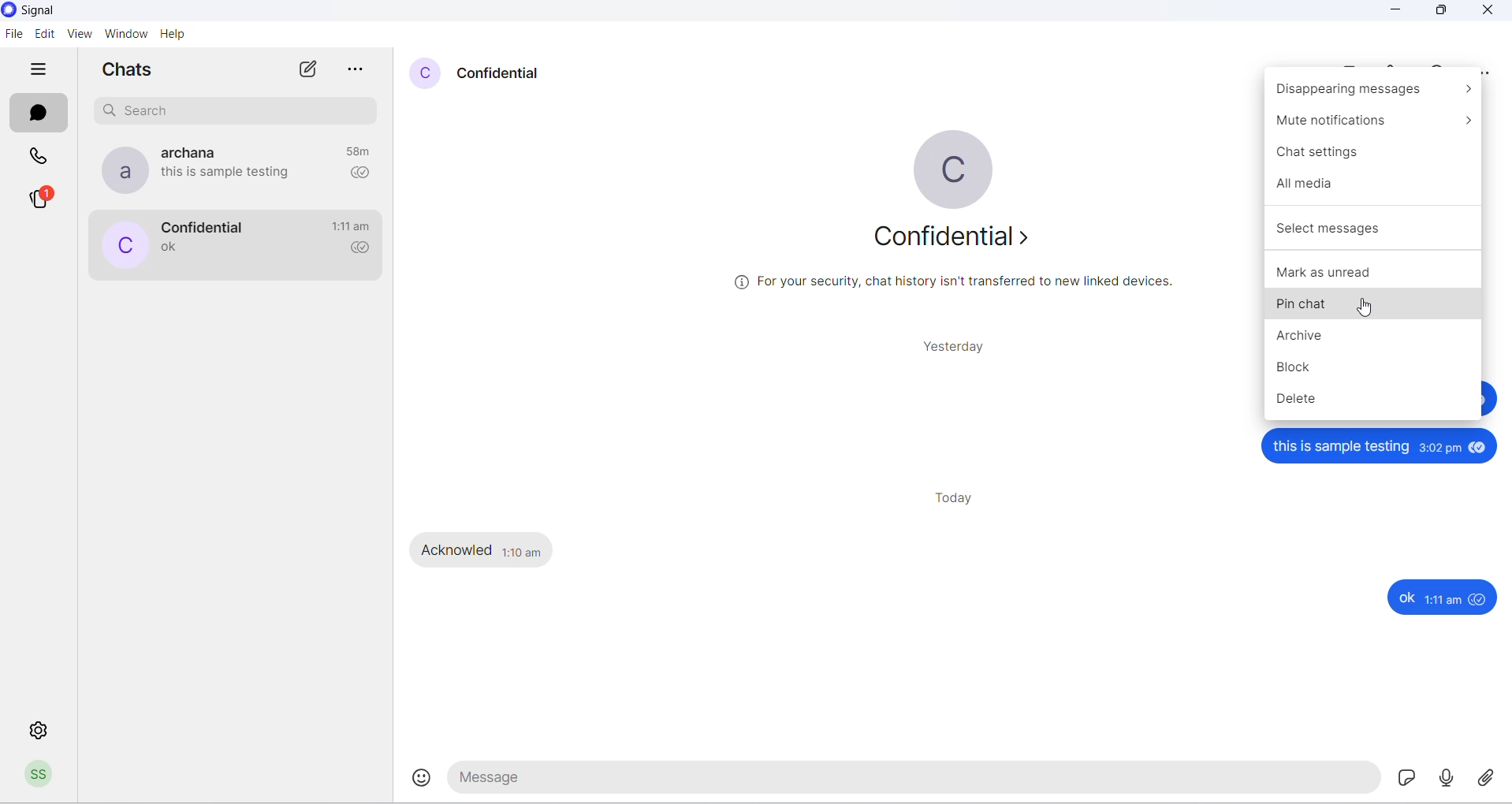 The width and height of the screenshot is (1512, 804). What do you see at coordinates (43, 198) in the screenshot?
I see `stories` at bounding box center [43, 198].